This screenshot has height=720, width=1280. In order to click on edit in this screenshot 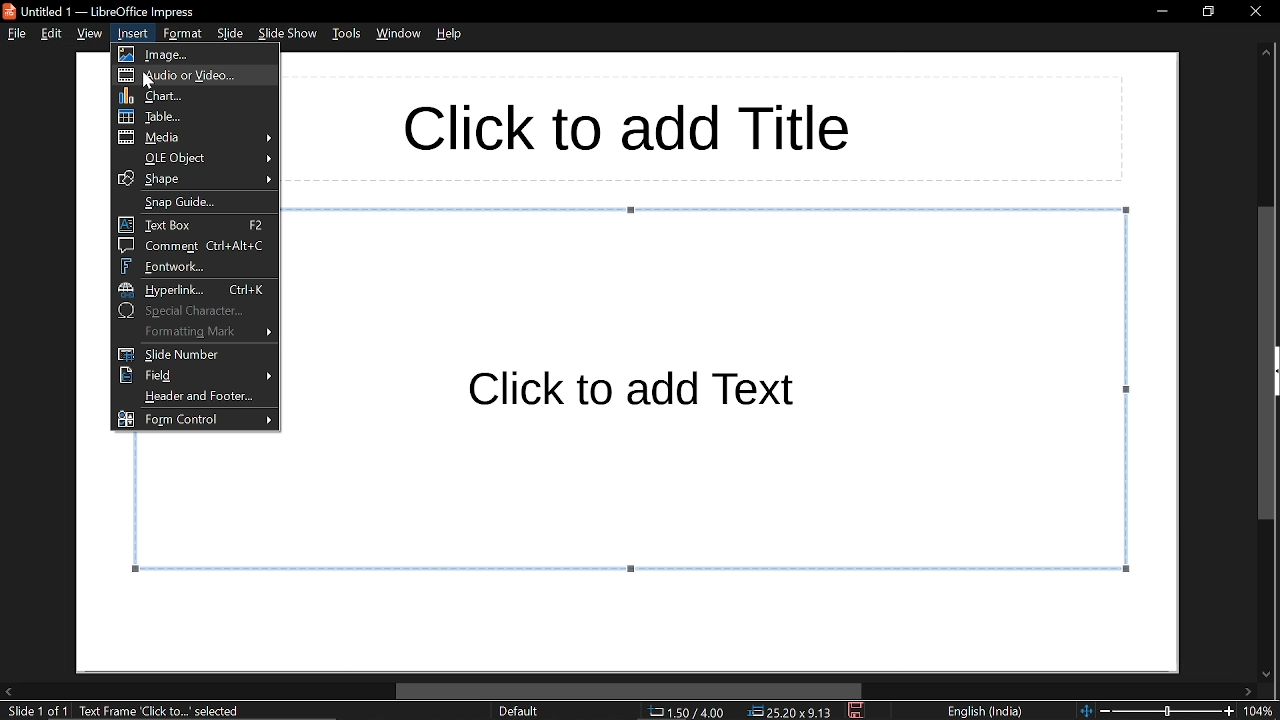, I will do `click(52, 33)`.